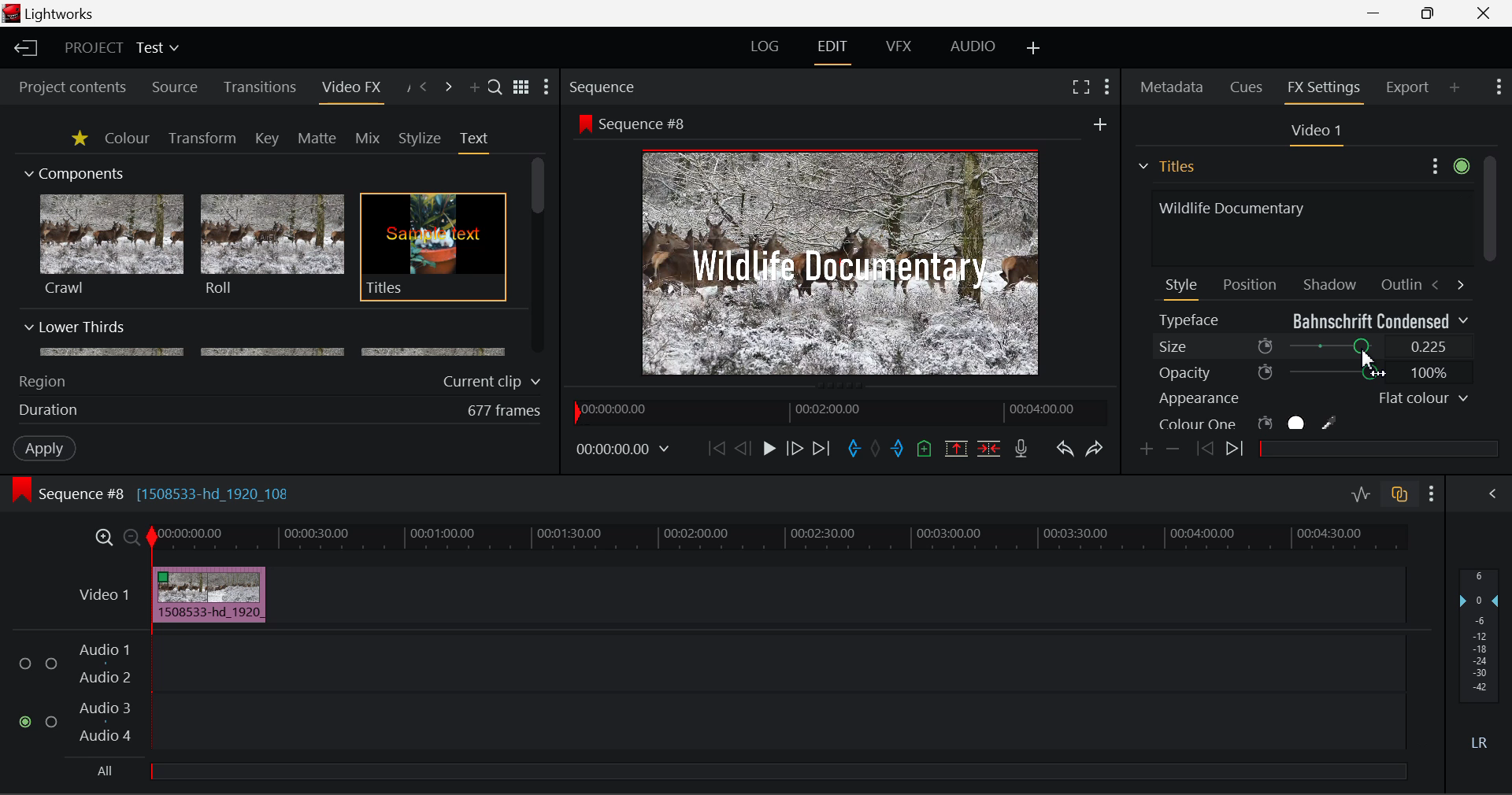 The height and width of the screenshot is (795, 1512). I want to click on Scroll Bar, so click(1489, 294).